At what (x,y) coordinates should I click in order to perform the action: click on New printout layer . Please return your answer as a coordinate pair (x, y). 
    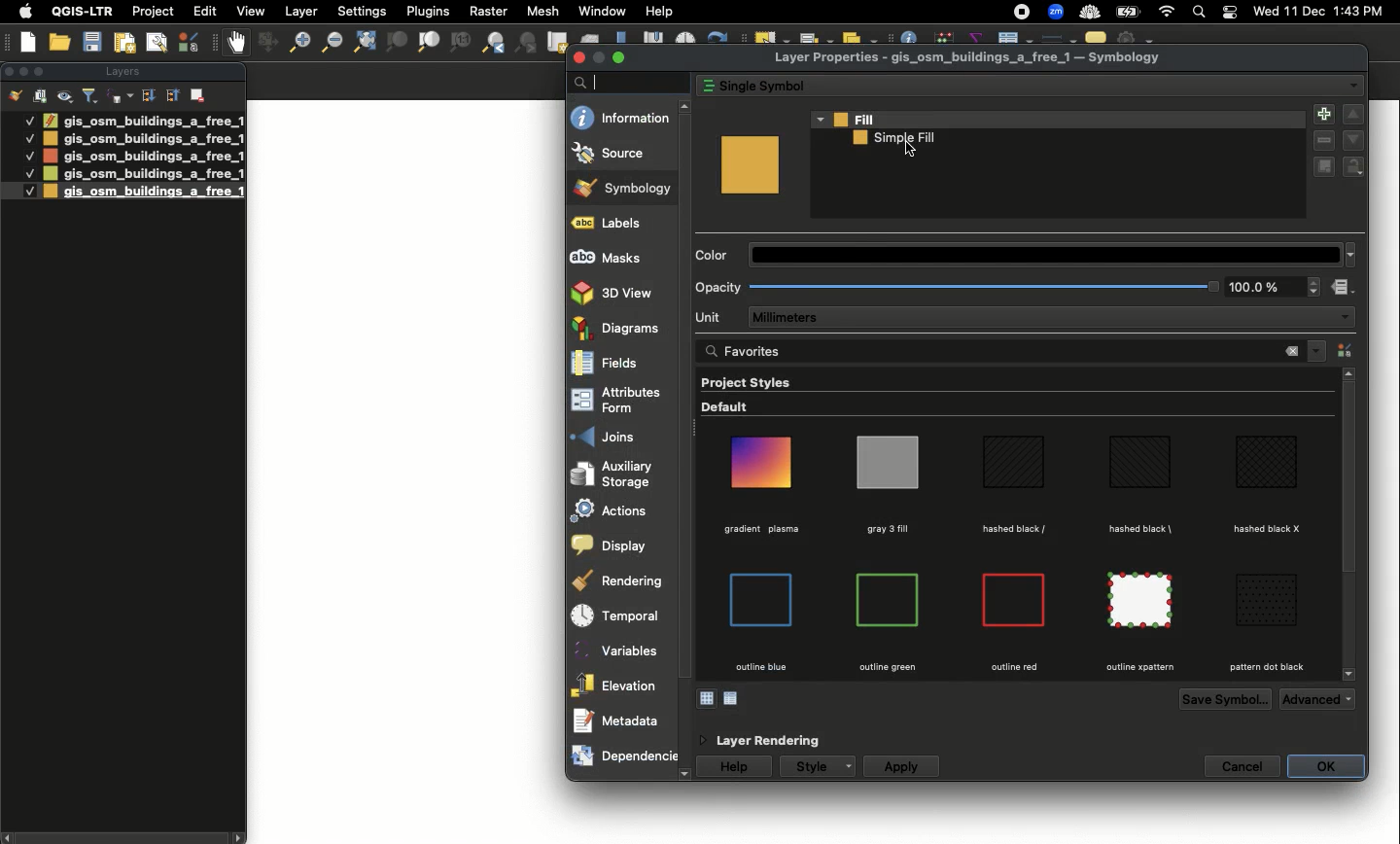
    Looking at the image, I should click on (124, 43).